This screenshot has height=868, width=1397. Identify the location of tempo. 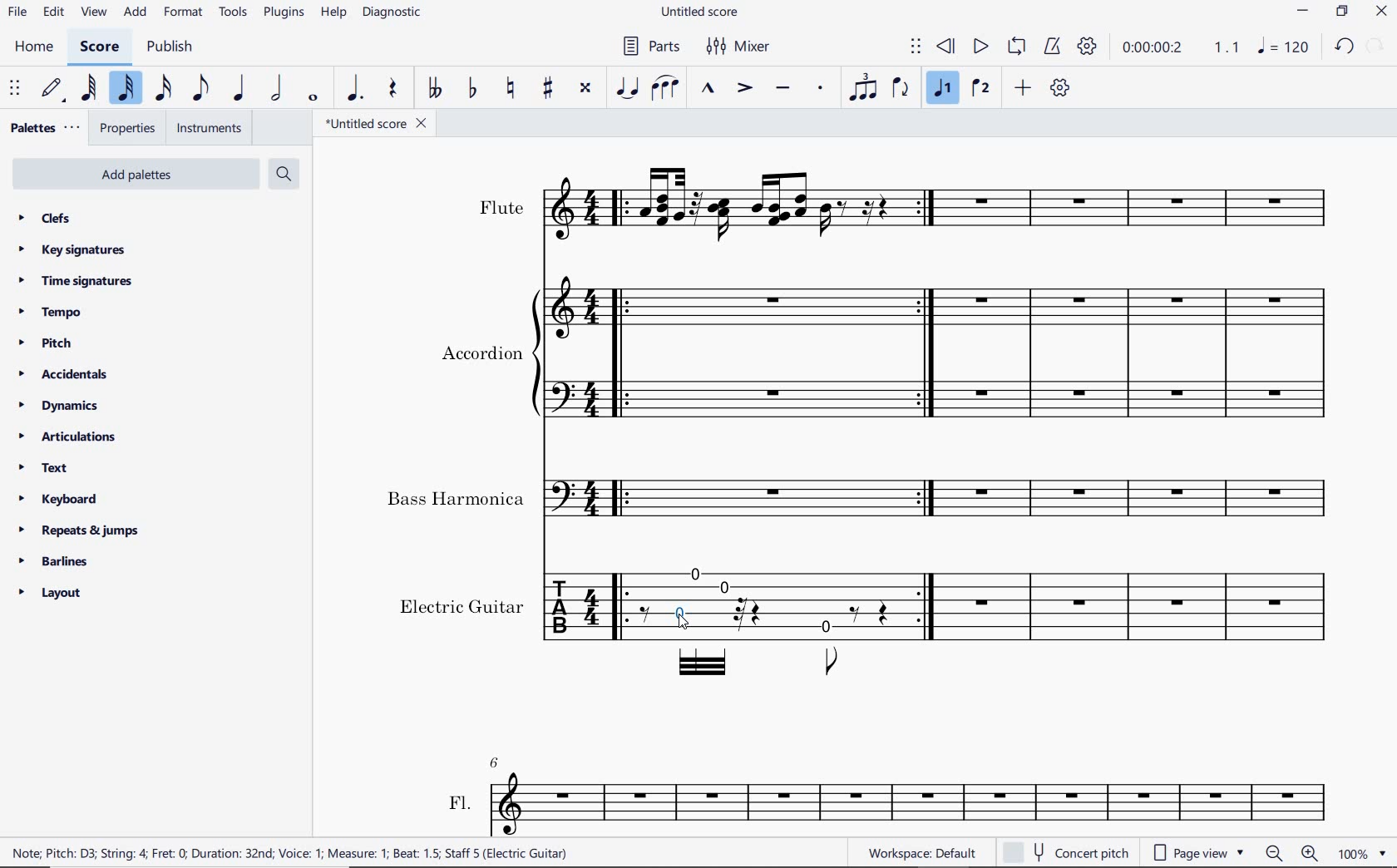
(50, 311).